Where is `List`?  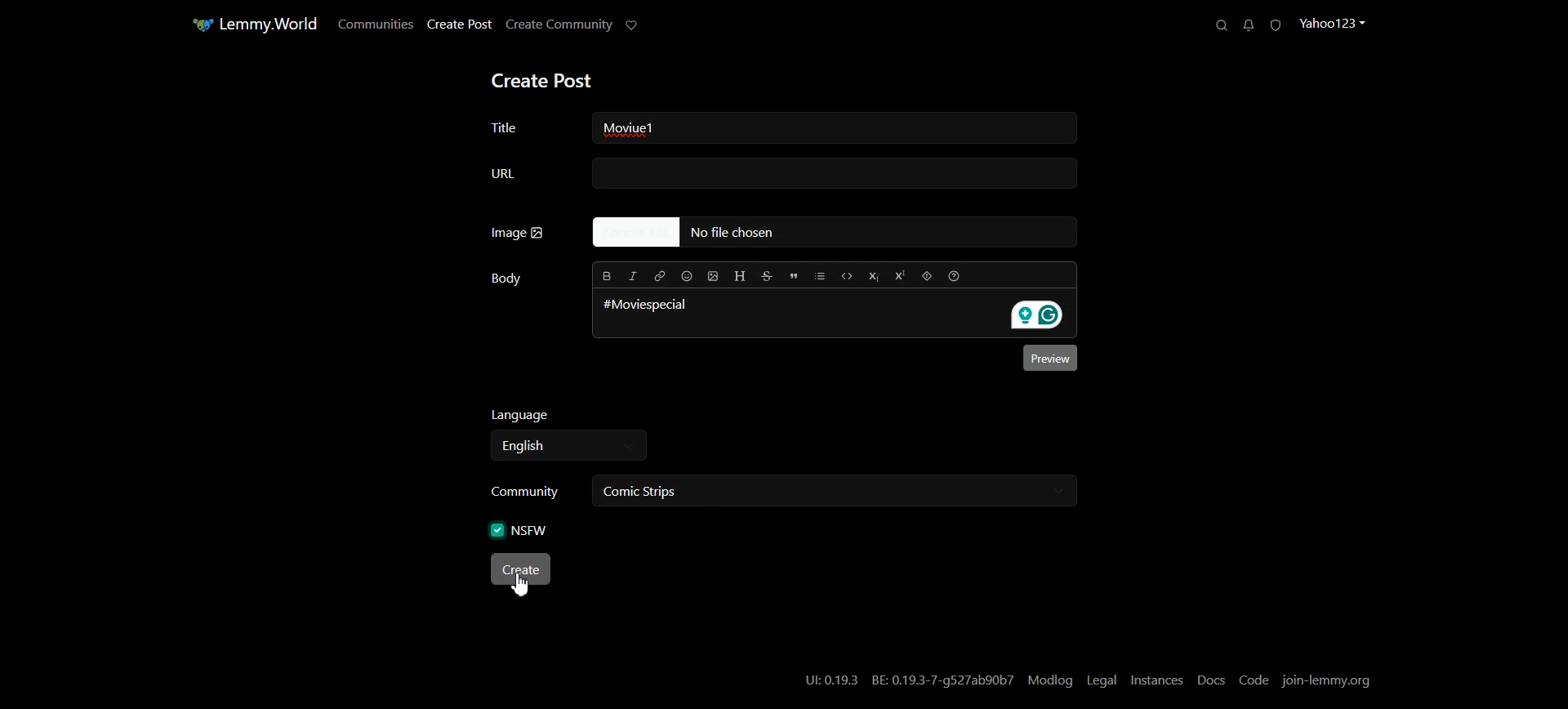 List is located at coordinates (822, 274).